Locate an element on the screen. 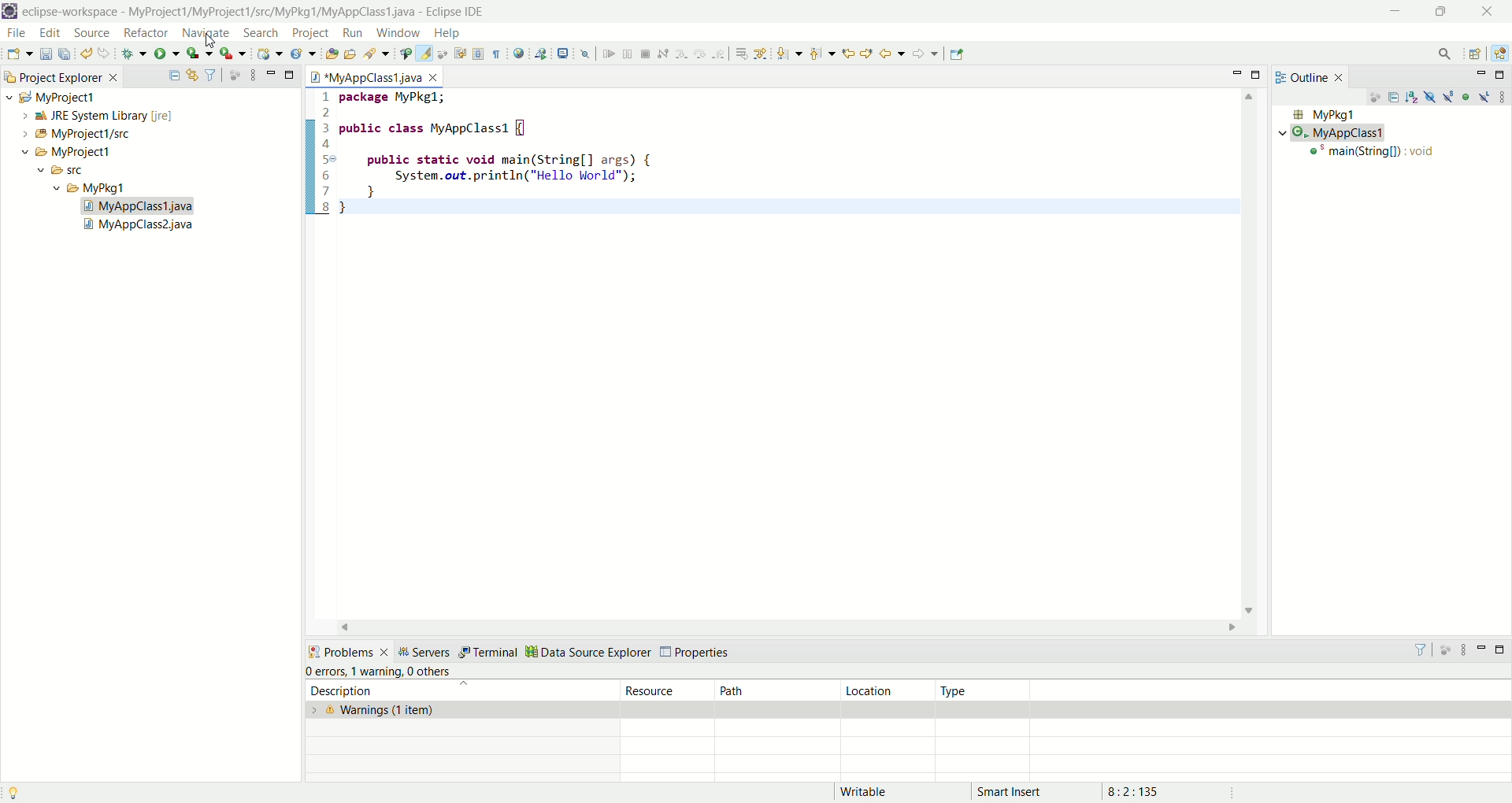  back is located at coordinates (892, 53).